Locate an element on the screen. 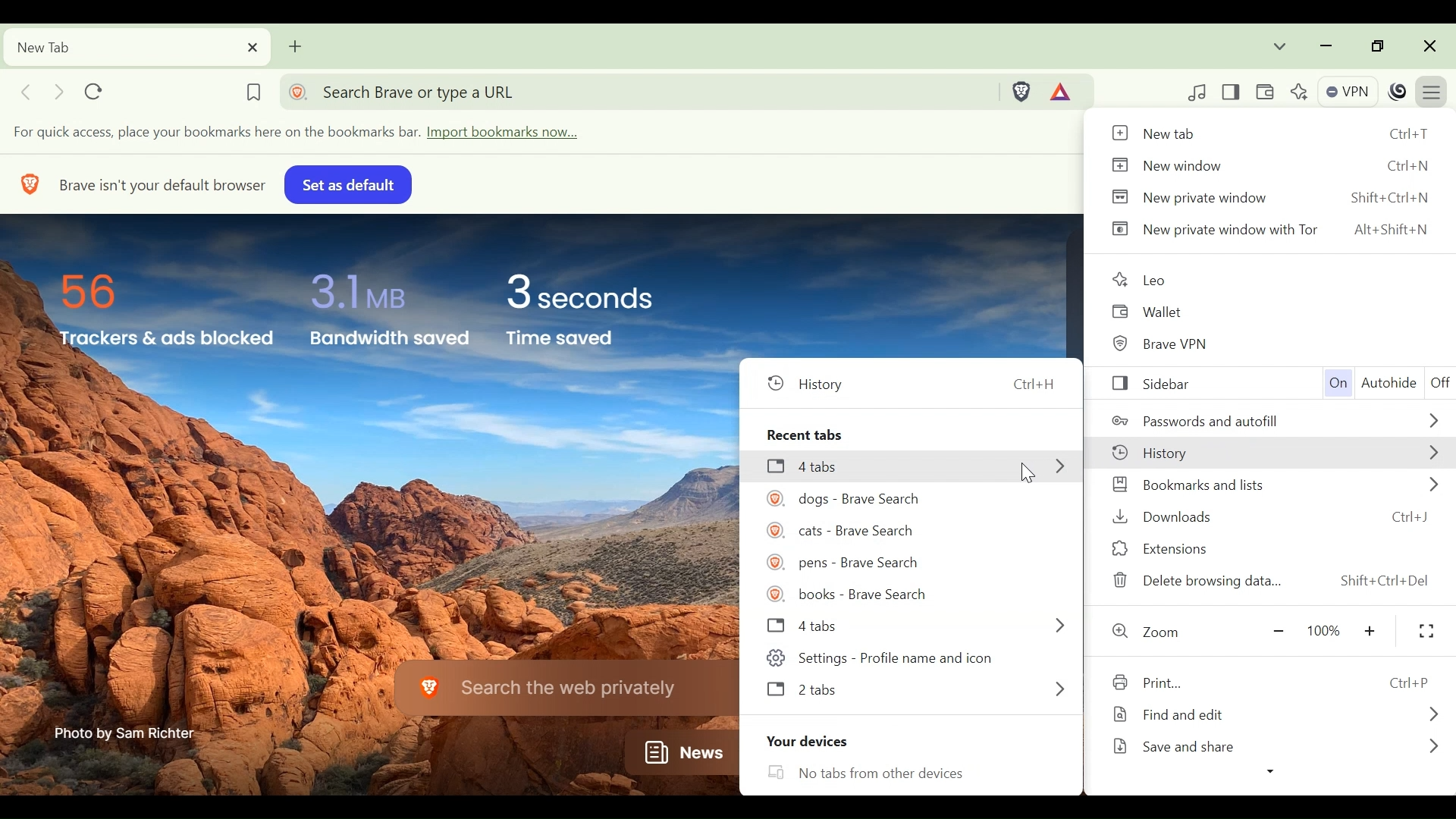  set as default is located at coordinates (345, 184).